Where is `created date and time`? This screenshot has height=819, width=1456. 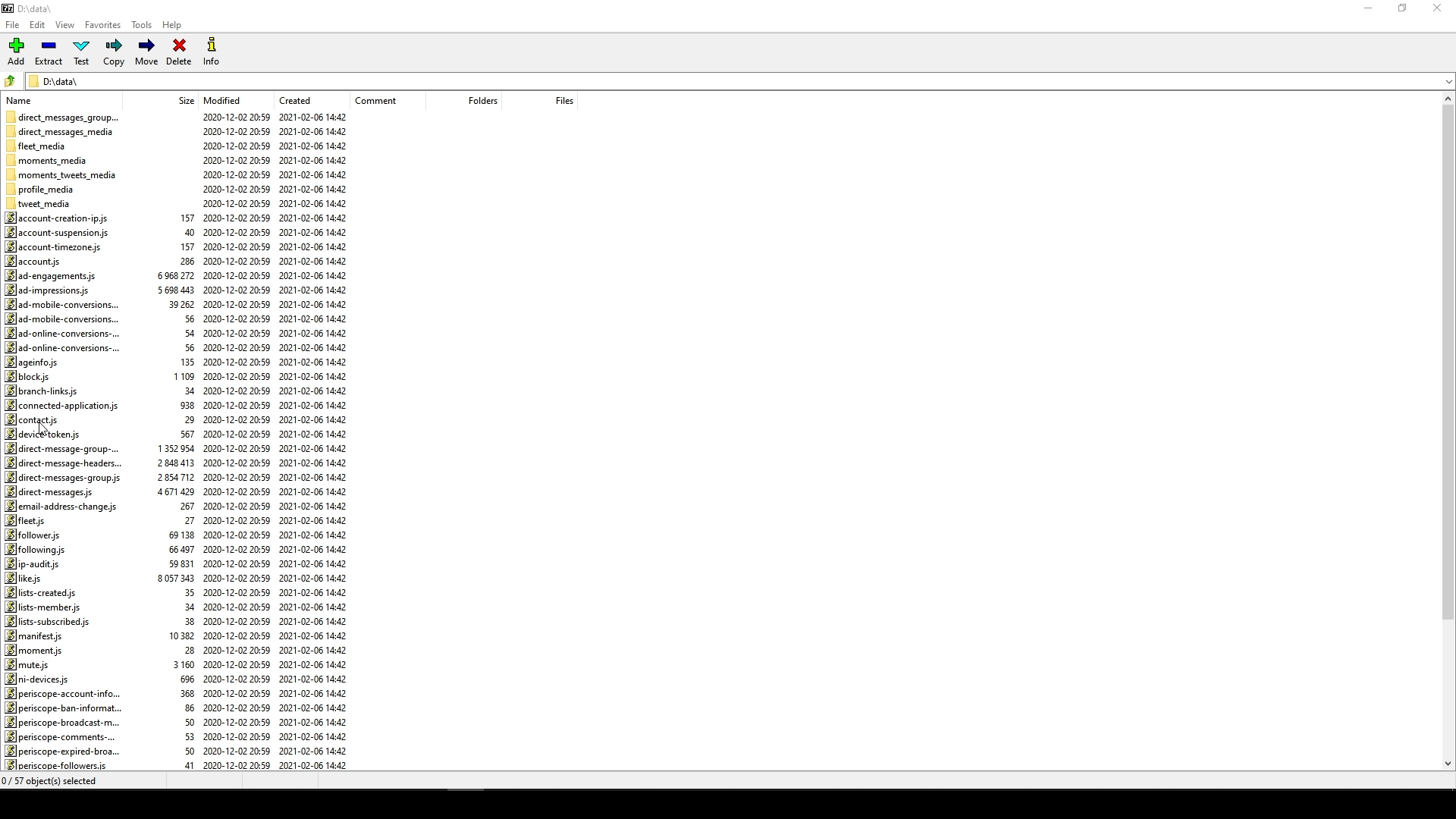 created date and time is located at coordinates (316, 442).